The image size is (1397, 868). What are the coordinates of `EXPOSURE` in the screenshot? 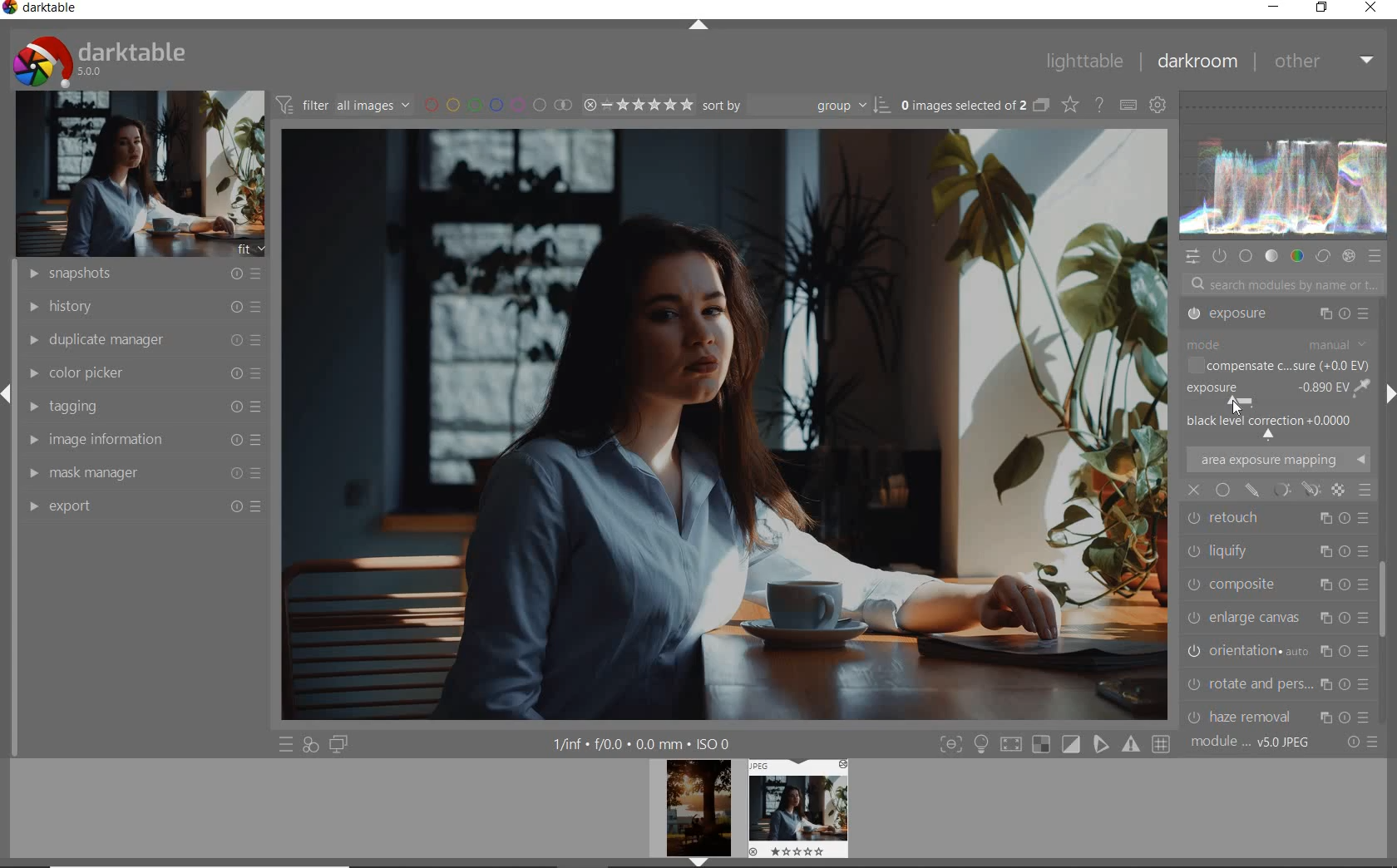 It's located at (1276, 385).